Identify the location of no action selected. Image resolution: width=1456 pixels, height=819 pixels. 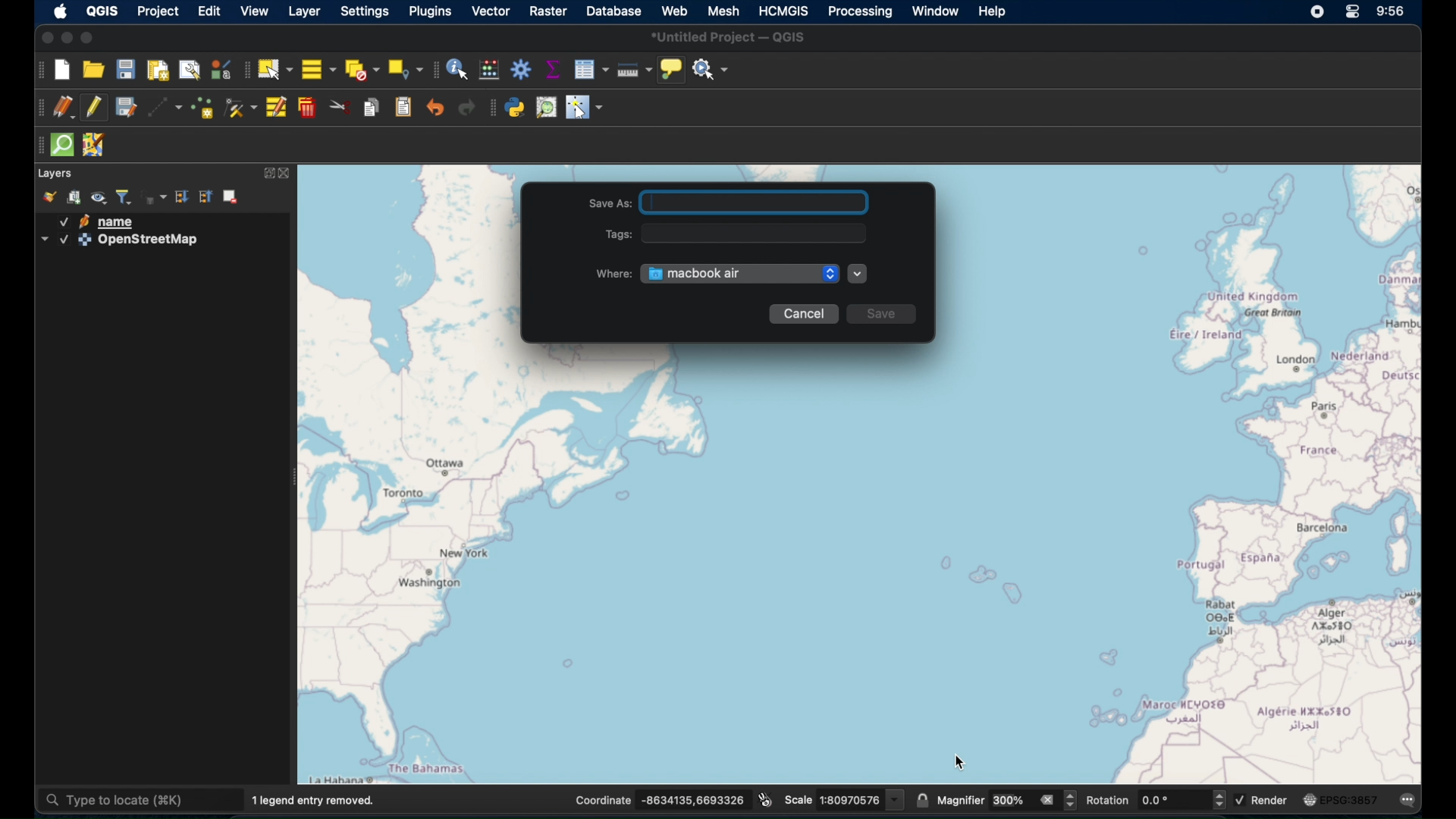
(711, 71).